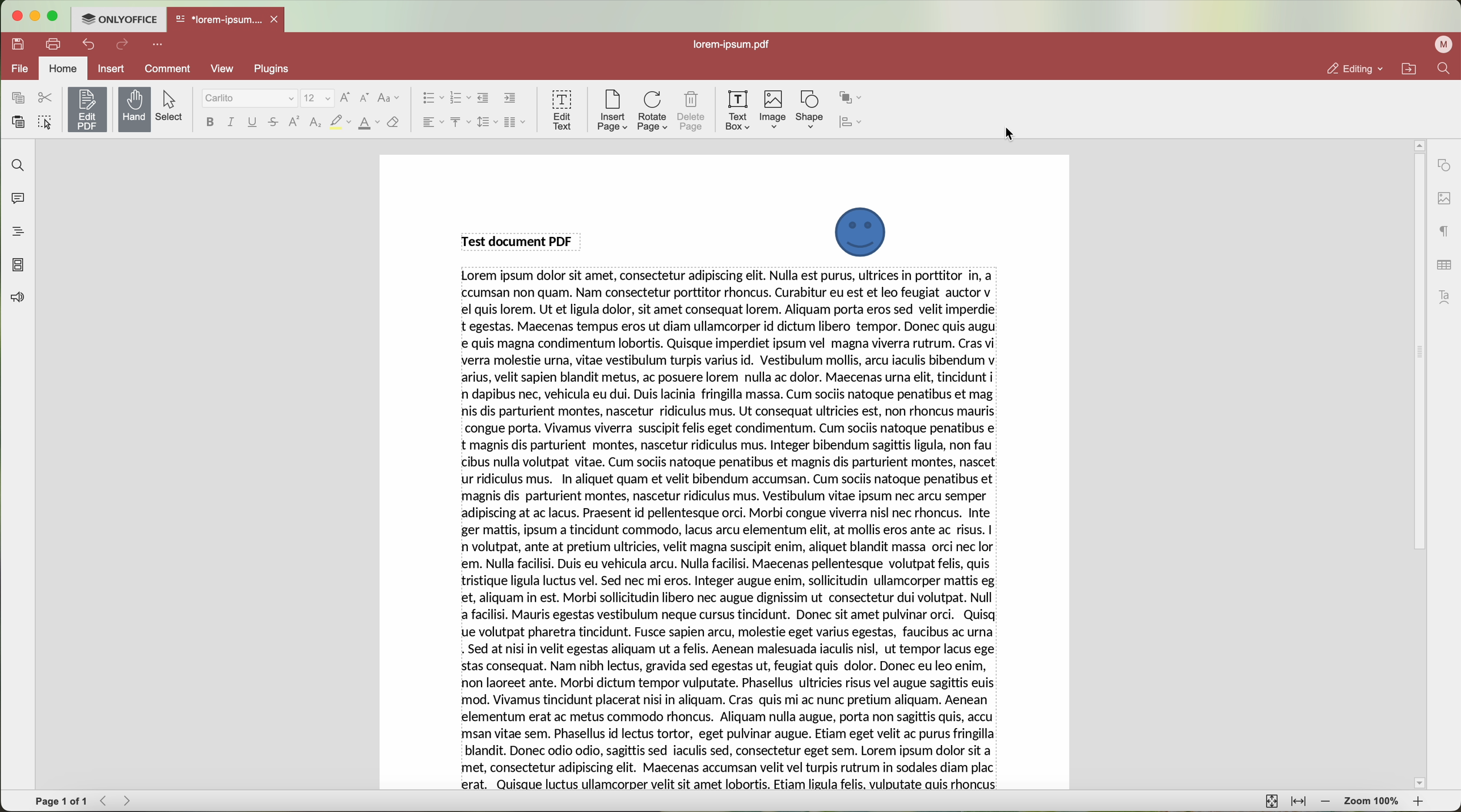 The width and height of the screenshot is (1461, 812). Describe the element at coordinates (460, 98) in the screenshot. I see `numbered list` at that location.